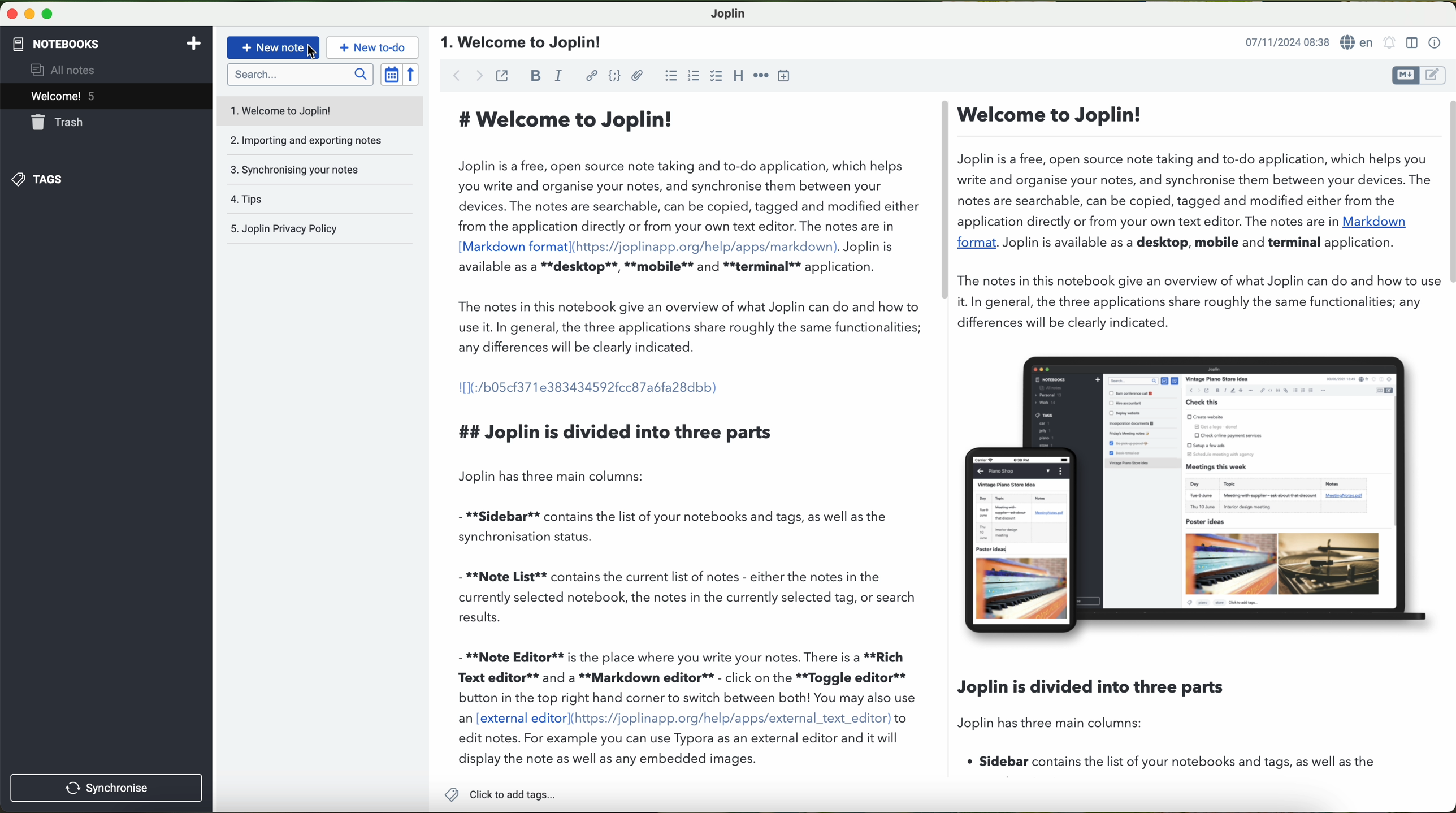 The width and height of the screenshot is (1456, 813). Describe the element at coordinates (107, 788) in the screenshot. I see `synchronise button` at that location.